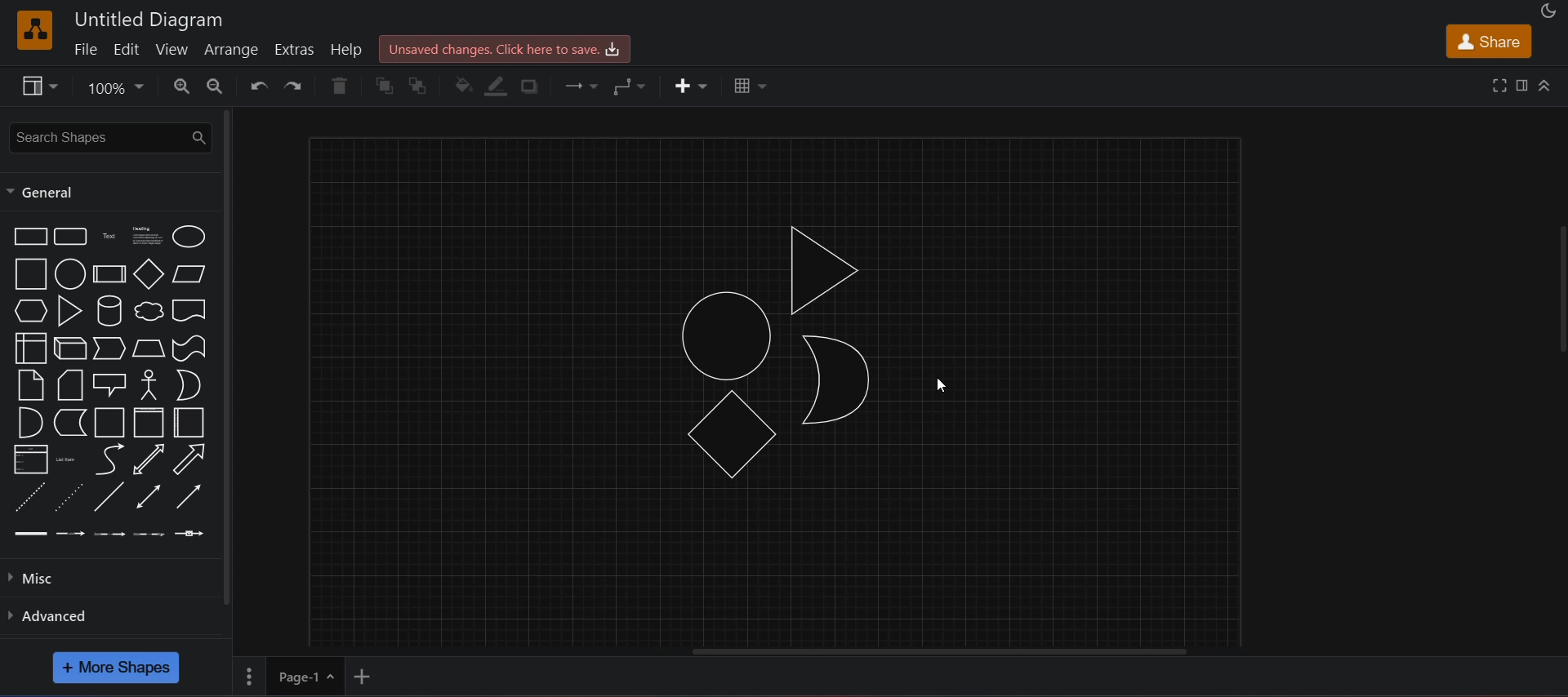 The height and width of the screenshot is (697, 1568). What do you see at coordinates (109, 273) in the screenshot?
I see `process` at bounding box center [109, 273].